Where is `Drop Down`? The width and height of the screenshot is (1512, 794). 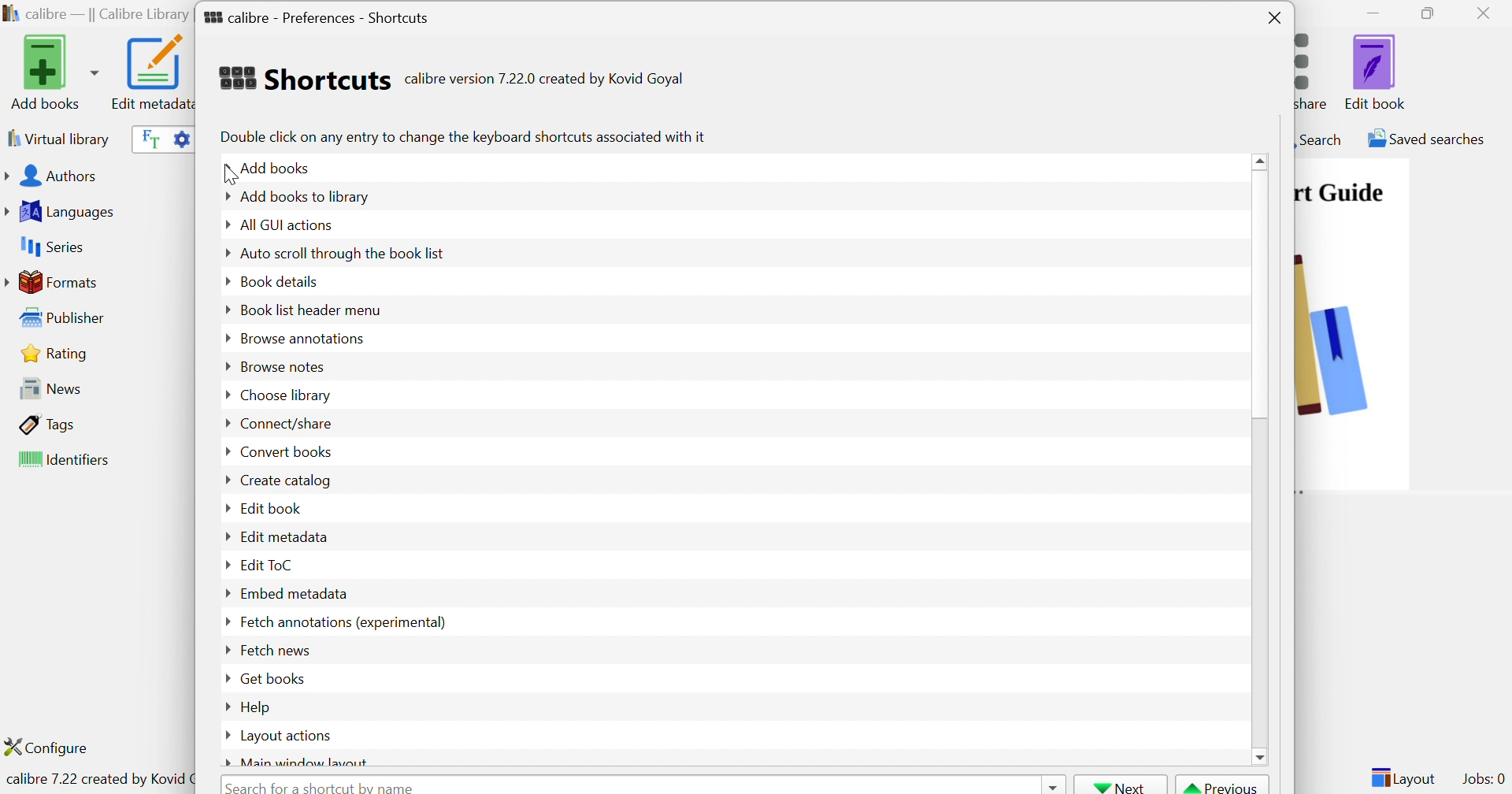
Drop Down is located at coordinates (224, 621).